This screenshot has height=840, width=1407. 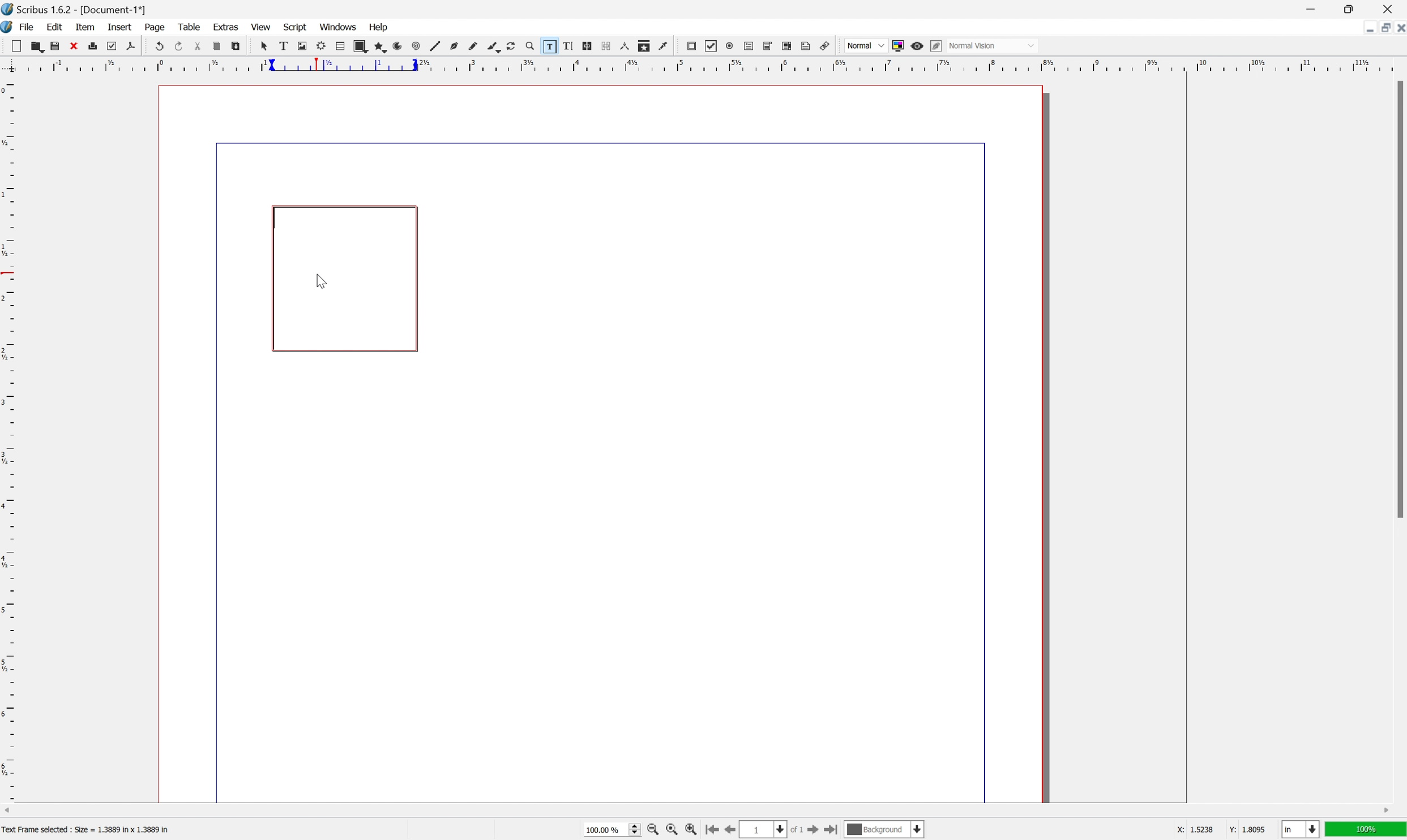 I want to click on link annotation, so click(x=826, y=46).